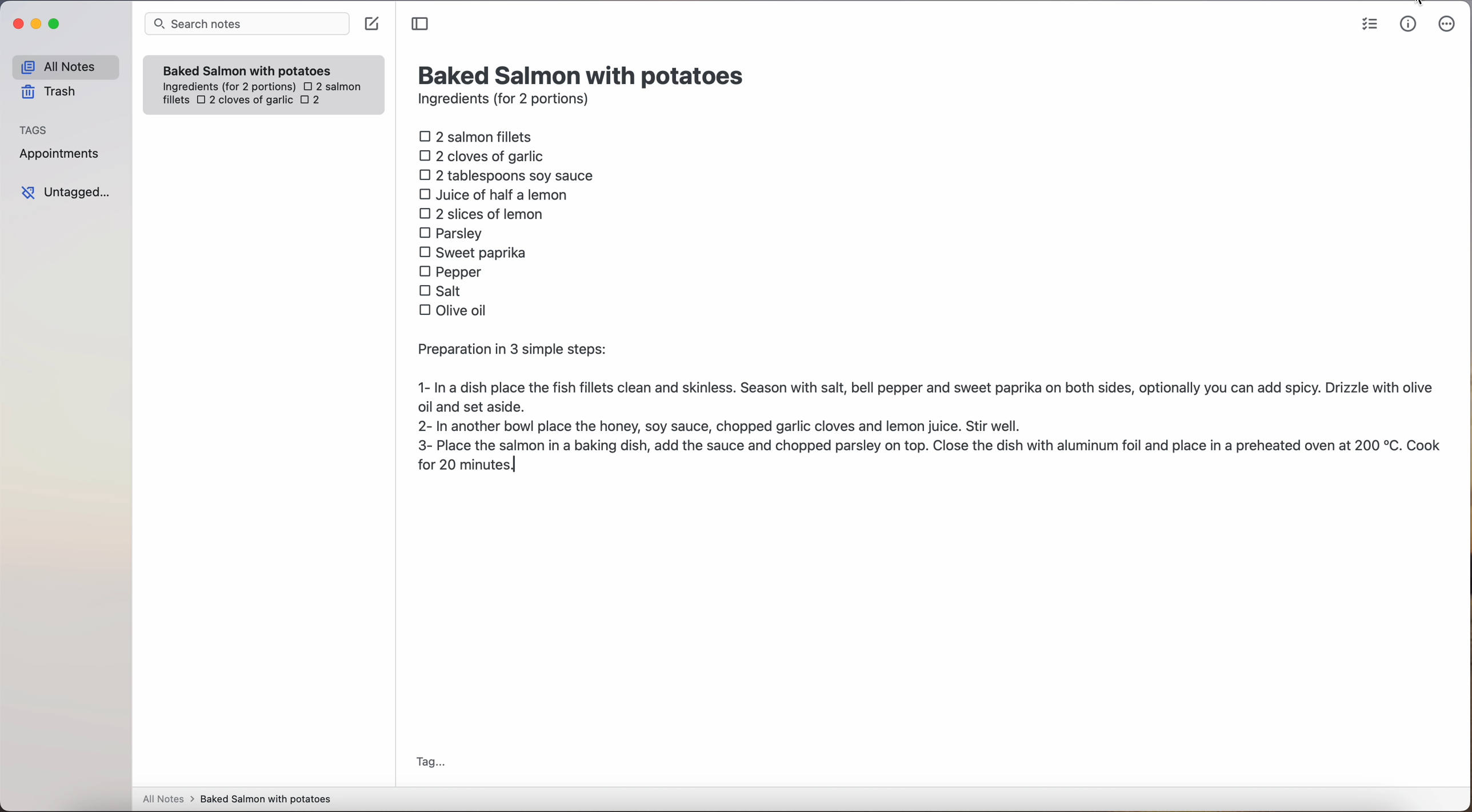  I want to click on 2 slices of lemon, so click(482, 214).